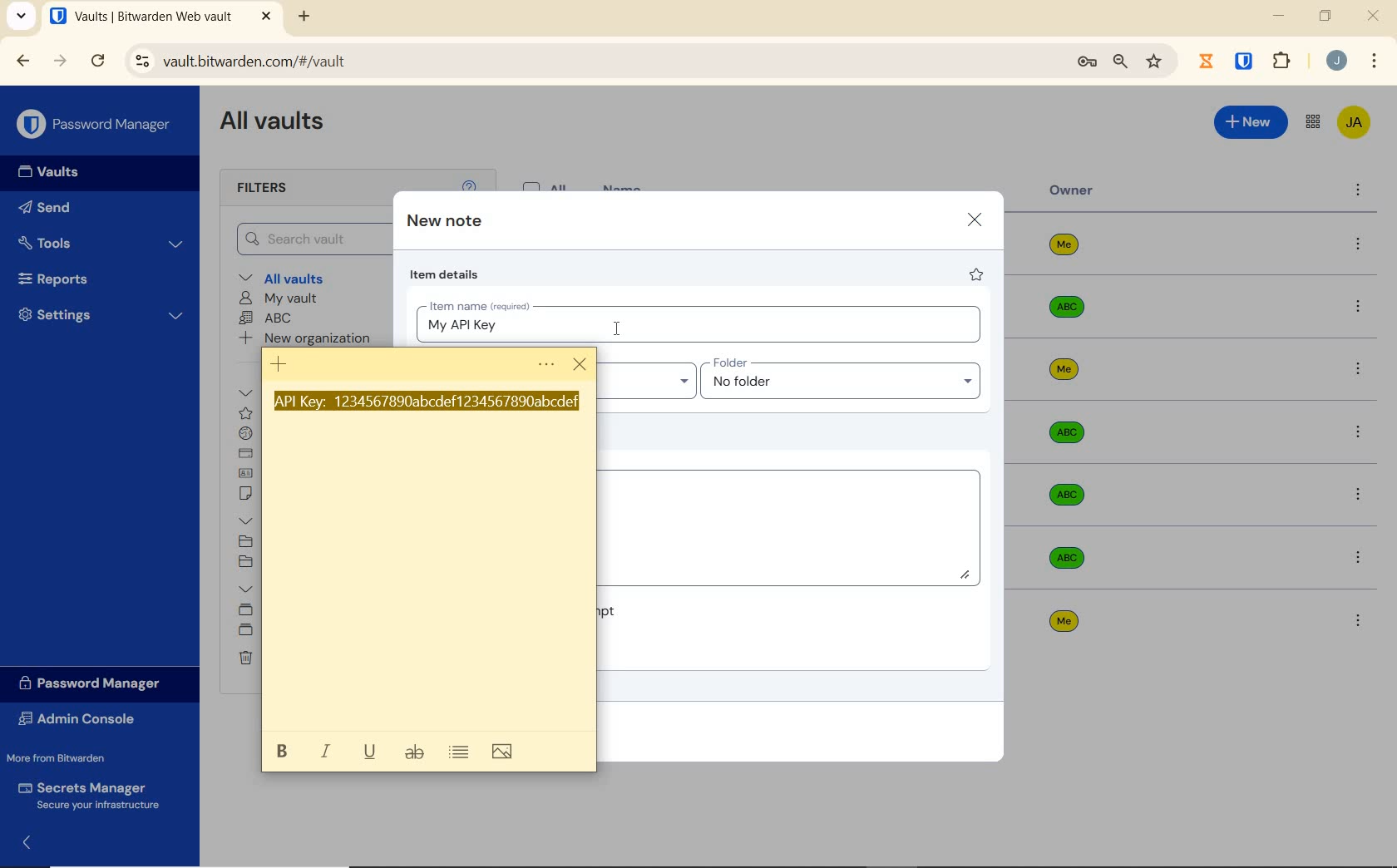 Image resolution: width=1397 pixels, height=868 pixels. Describe the element at coordinates (73, 758) in the screenshot. I see `More from Bitwarden` at that location.